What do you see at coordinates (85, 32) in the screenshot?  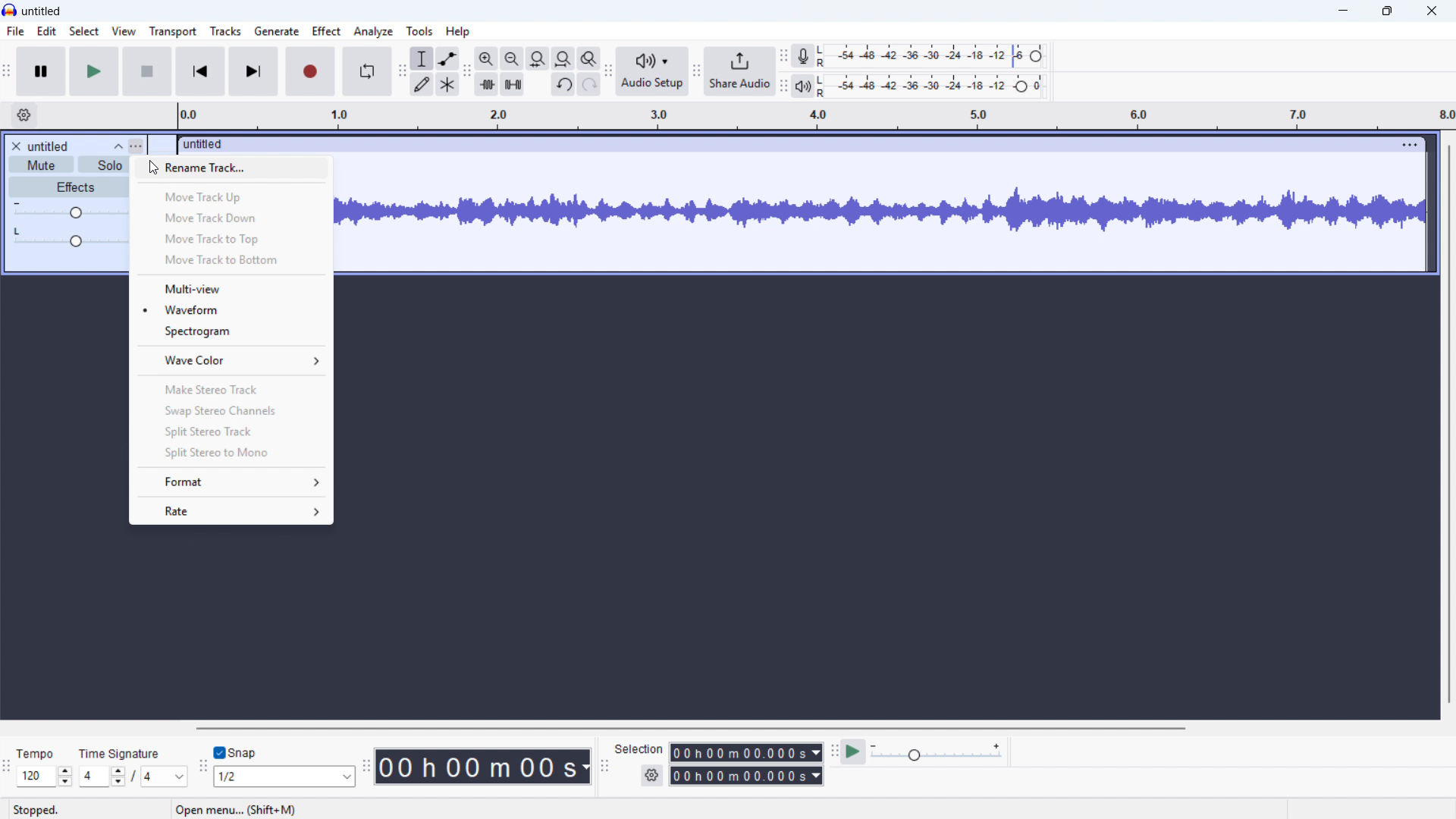 I see `select ` at bounding box center [85, 32].